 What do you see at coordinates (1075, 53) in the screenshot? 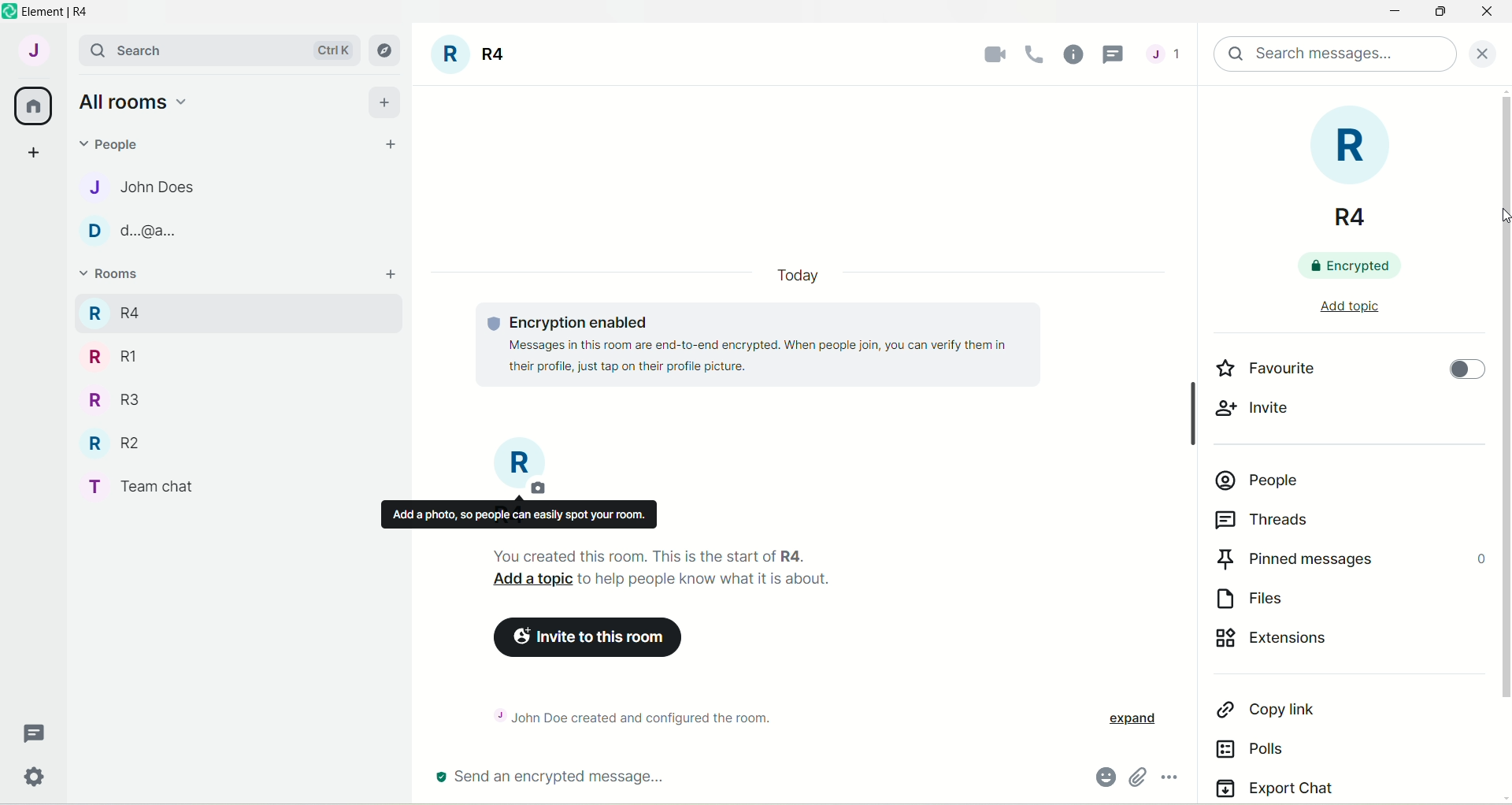
I see `room info` at bounding box center [1075, 53].